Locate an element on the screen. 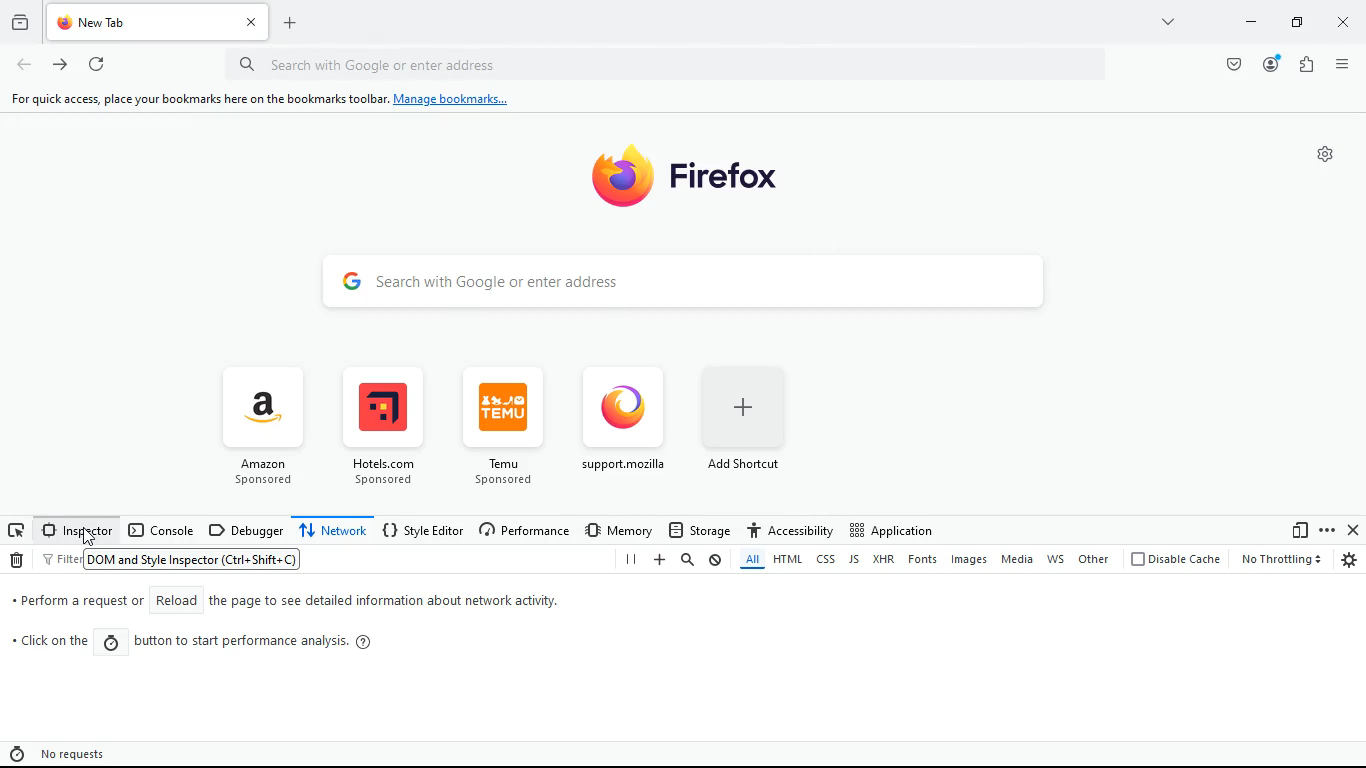 The height and width of the screenshot is (768, 1366). Reload is located at coordinates (175, 600).